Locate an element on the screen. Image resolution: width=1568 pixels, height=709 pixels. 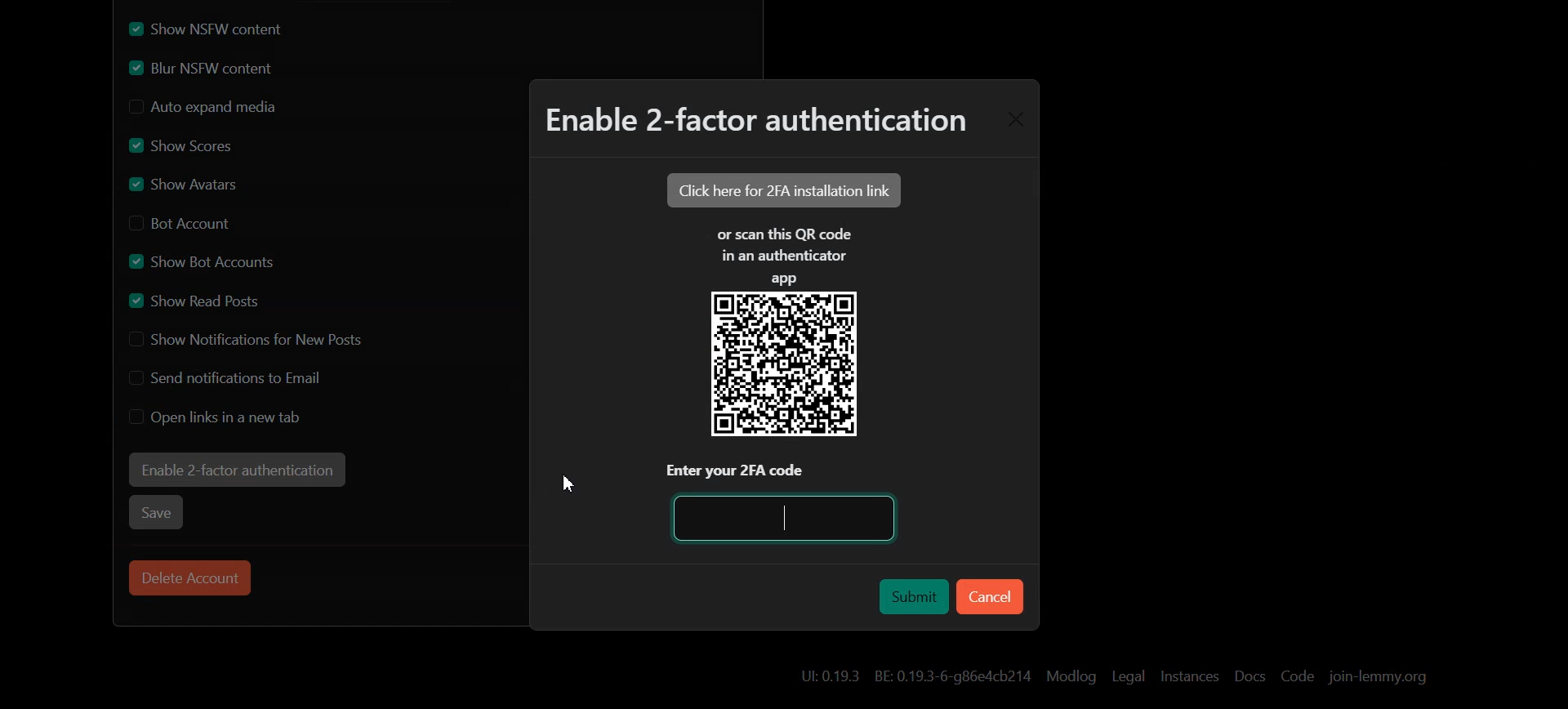
Code is located at coordinates (1298, 676).